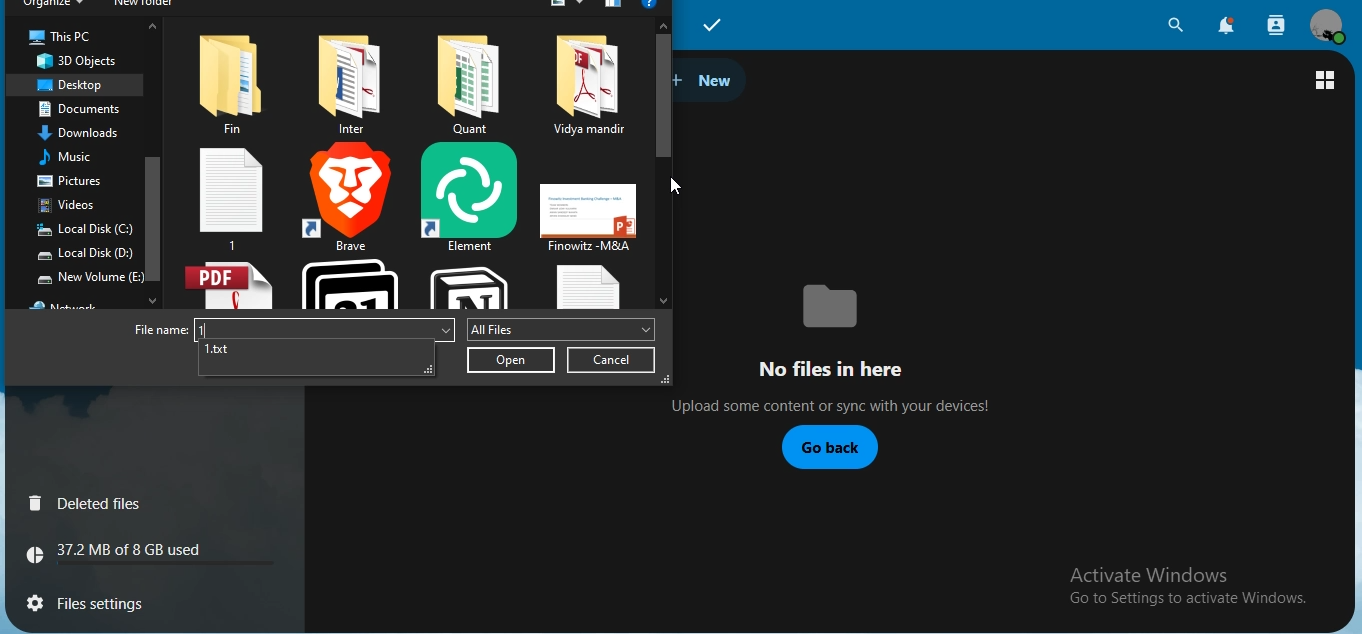  What do you see at coordinates (89, 504) in the screenshot?
I see `deleted files` at bounding box center [89, 504].